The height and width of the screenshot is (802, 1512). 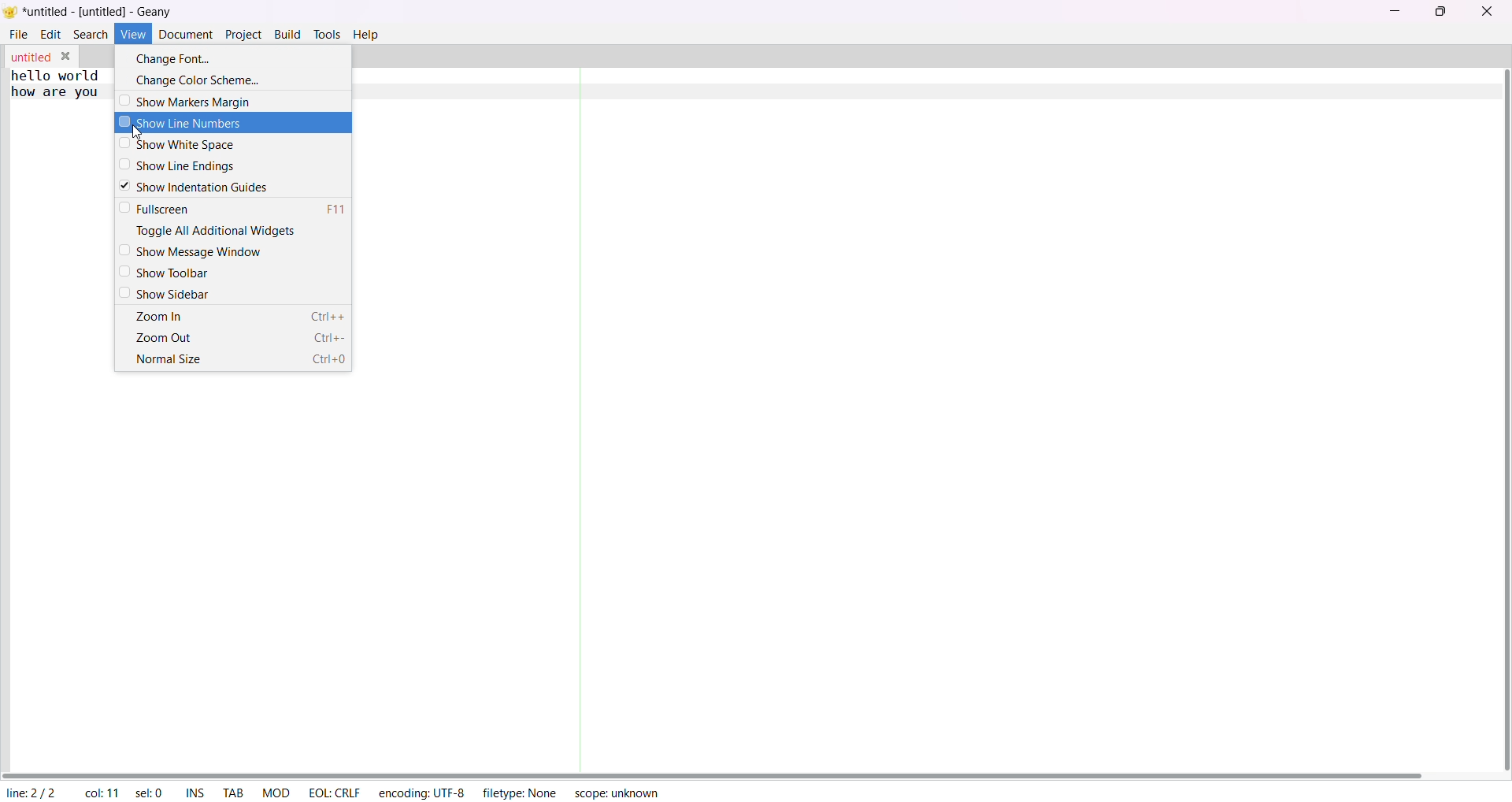 What do you see at coordinates (12, 11) in the screenshot?
I see `logo` at bounding box center [12, 11].